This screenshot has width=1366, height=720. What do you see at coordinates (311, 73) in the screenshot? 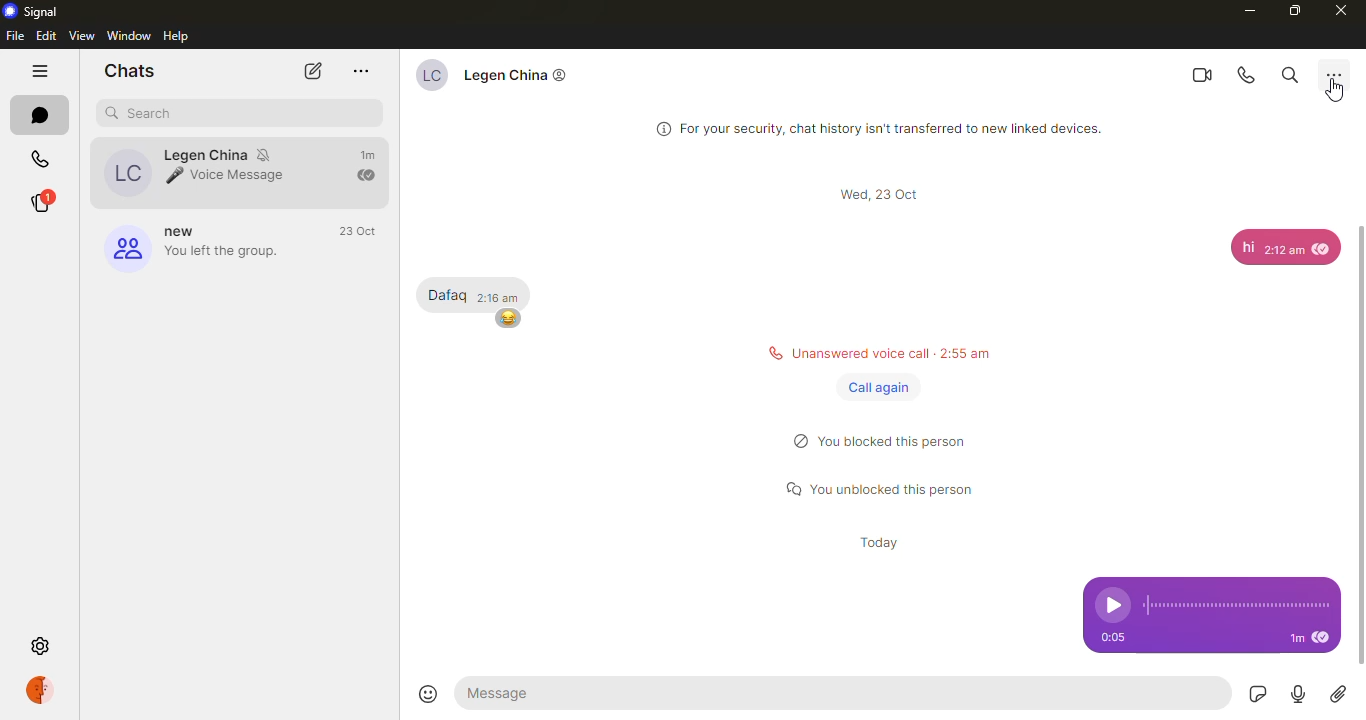
I see `new chat` at bounding box center [311, 73].